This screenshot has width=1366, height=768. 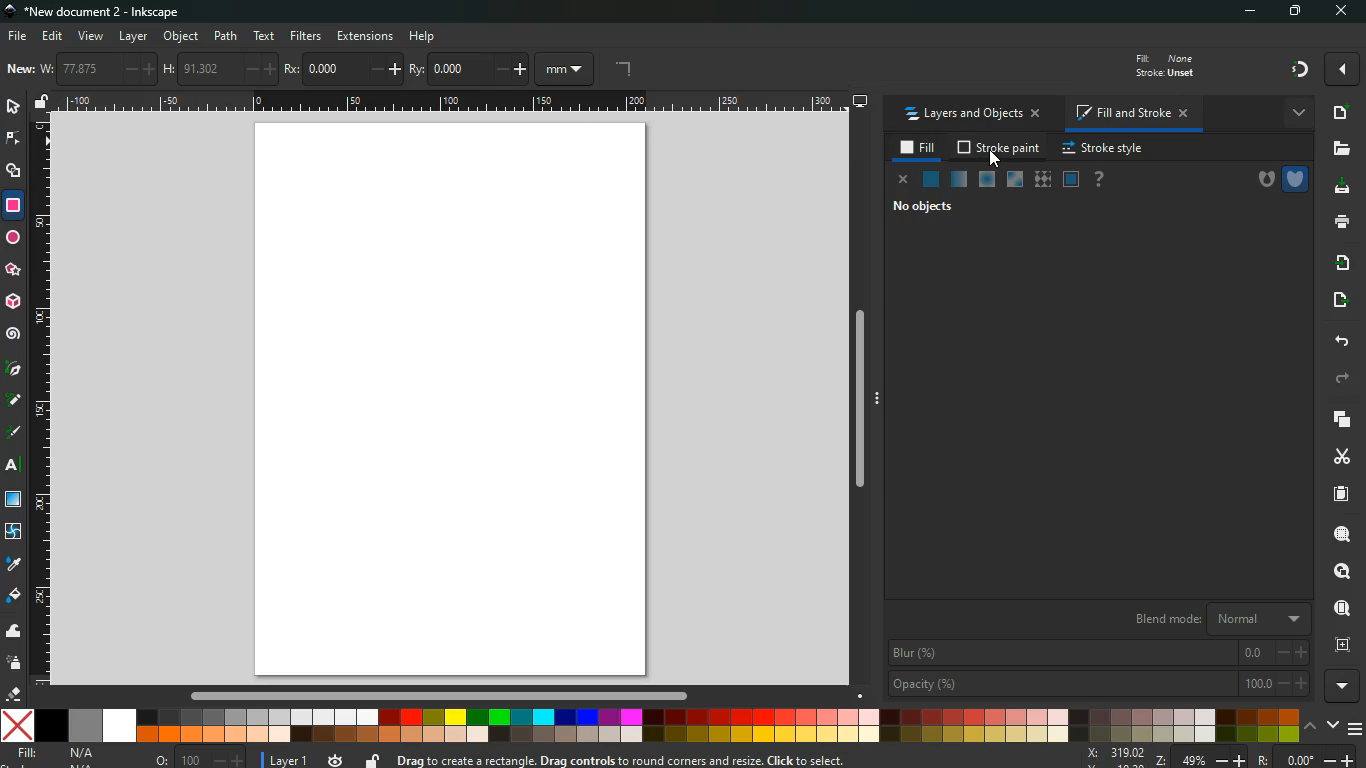 I want to click on extensions, so click(x=365, y=36).